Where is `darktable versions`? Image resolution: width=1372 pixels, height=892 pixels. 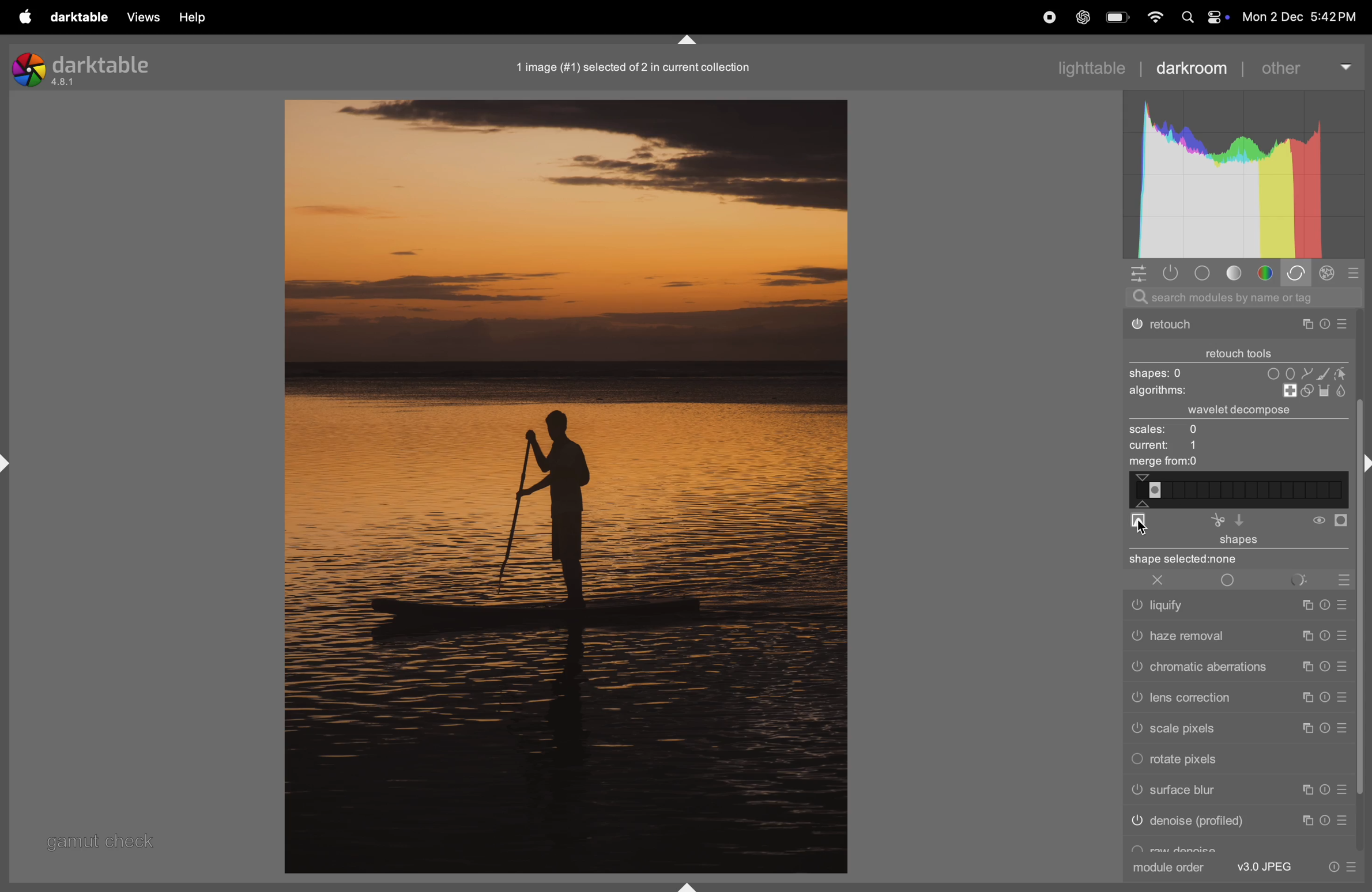
darktable versions is located at coordinates (86, 68).